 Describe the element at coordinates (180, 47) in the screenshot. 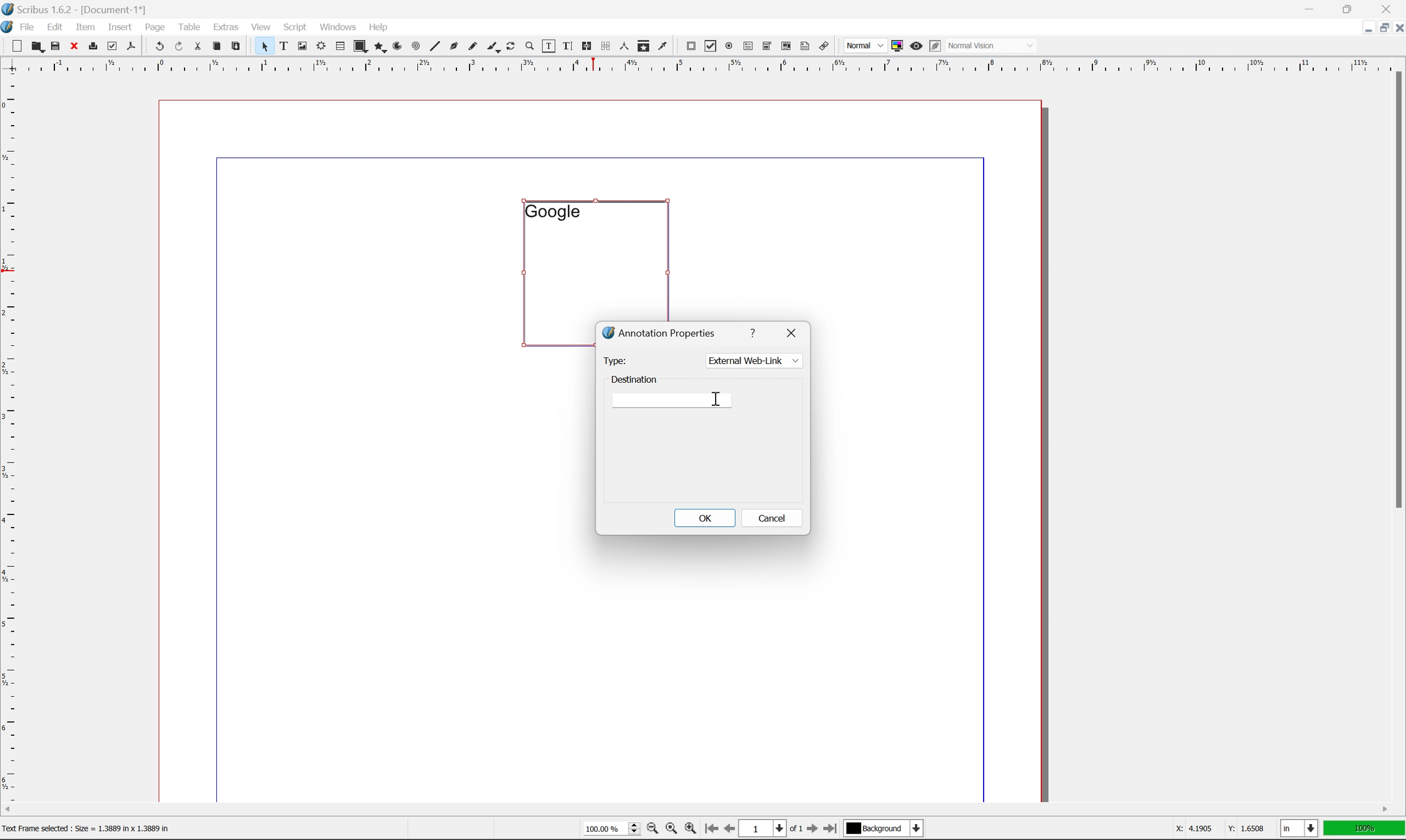

I see `redo` at that location.